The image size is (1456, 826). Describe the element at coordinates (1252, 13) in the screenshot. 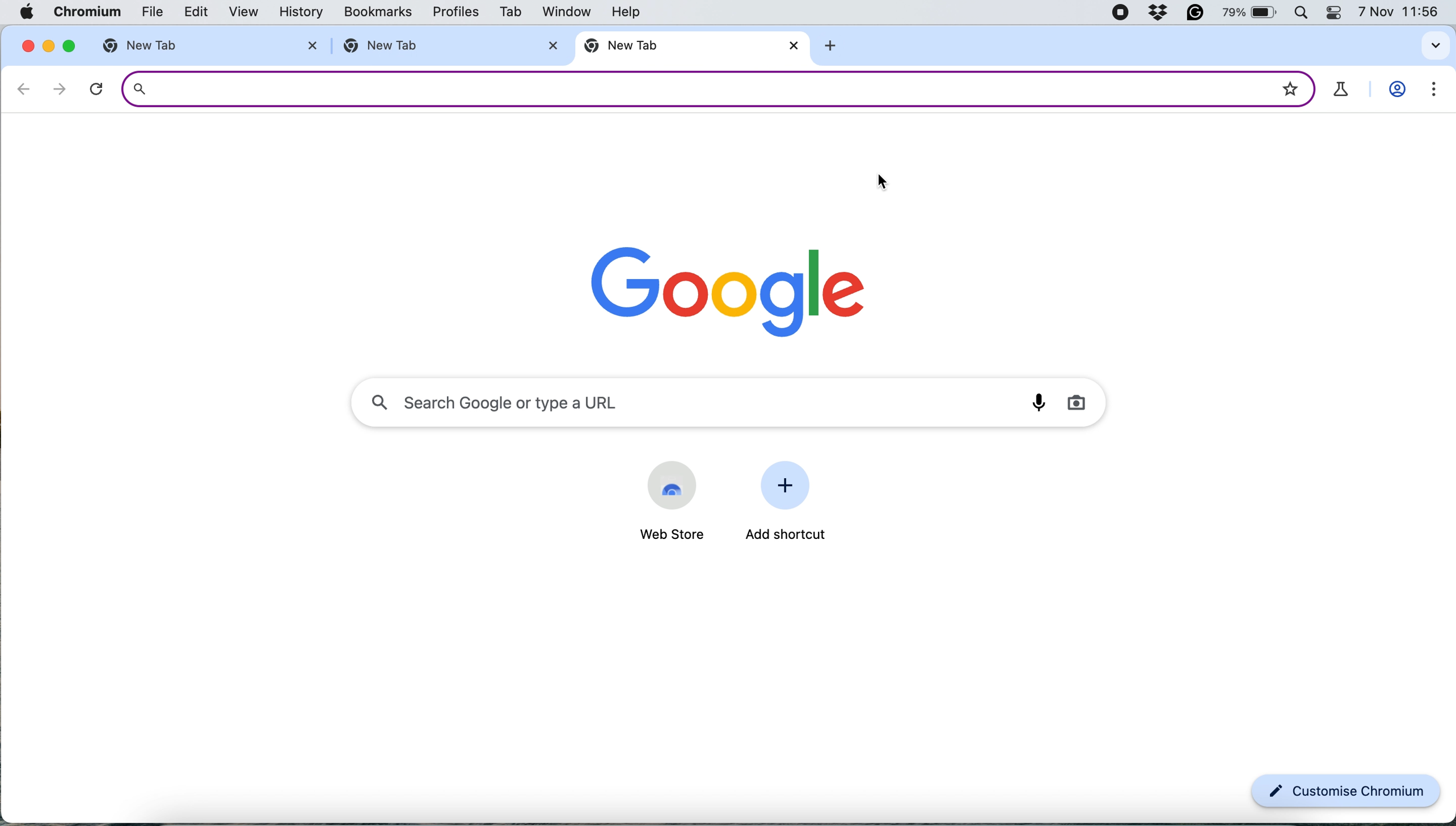

I see `battery` at that location.